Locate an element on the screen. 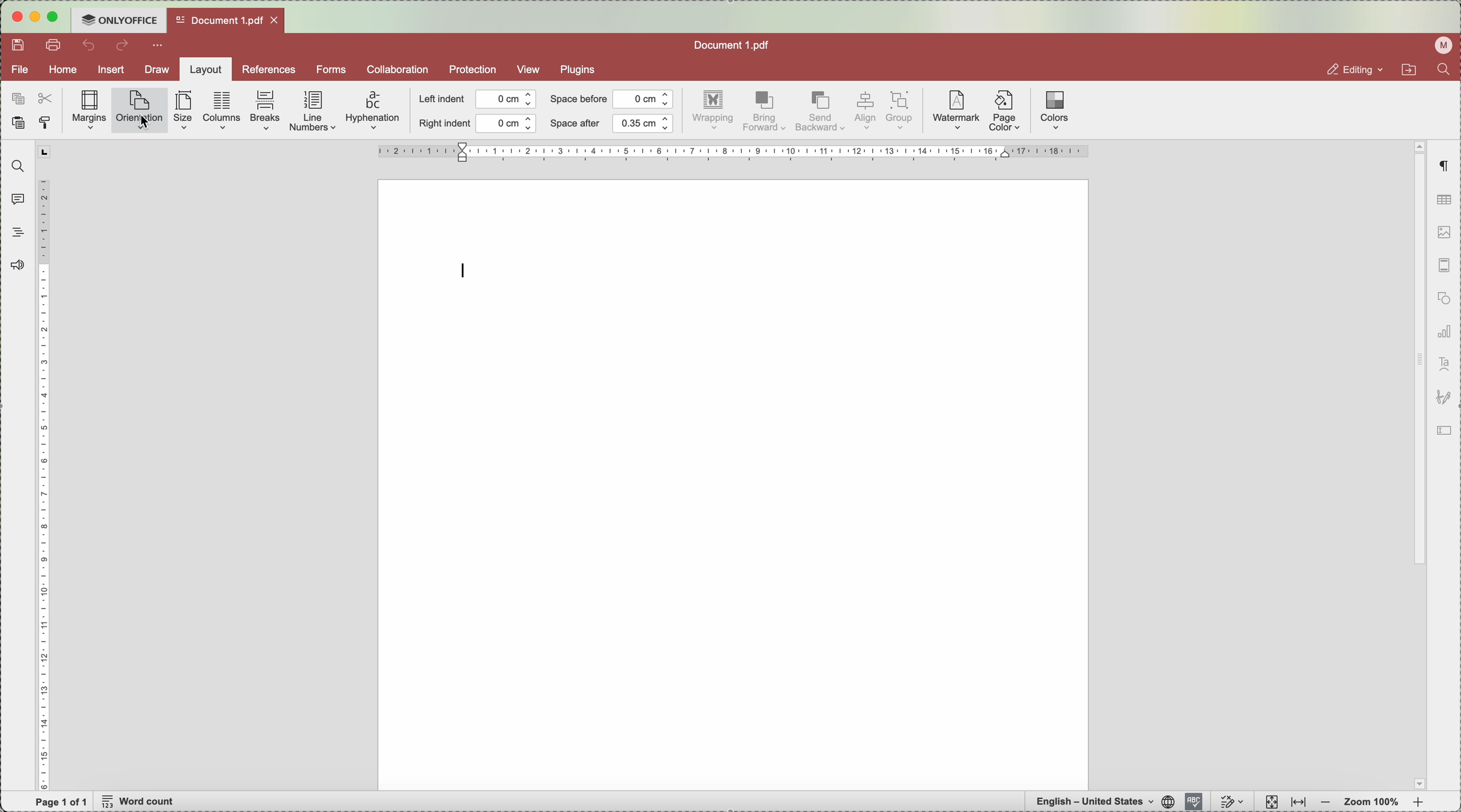 This screenshot has width=1461, height=812. bring foward is located at coordinates (765, 112).